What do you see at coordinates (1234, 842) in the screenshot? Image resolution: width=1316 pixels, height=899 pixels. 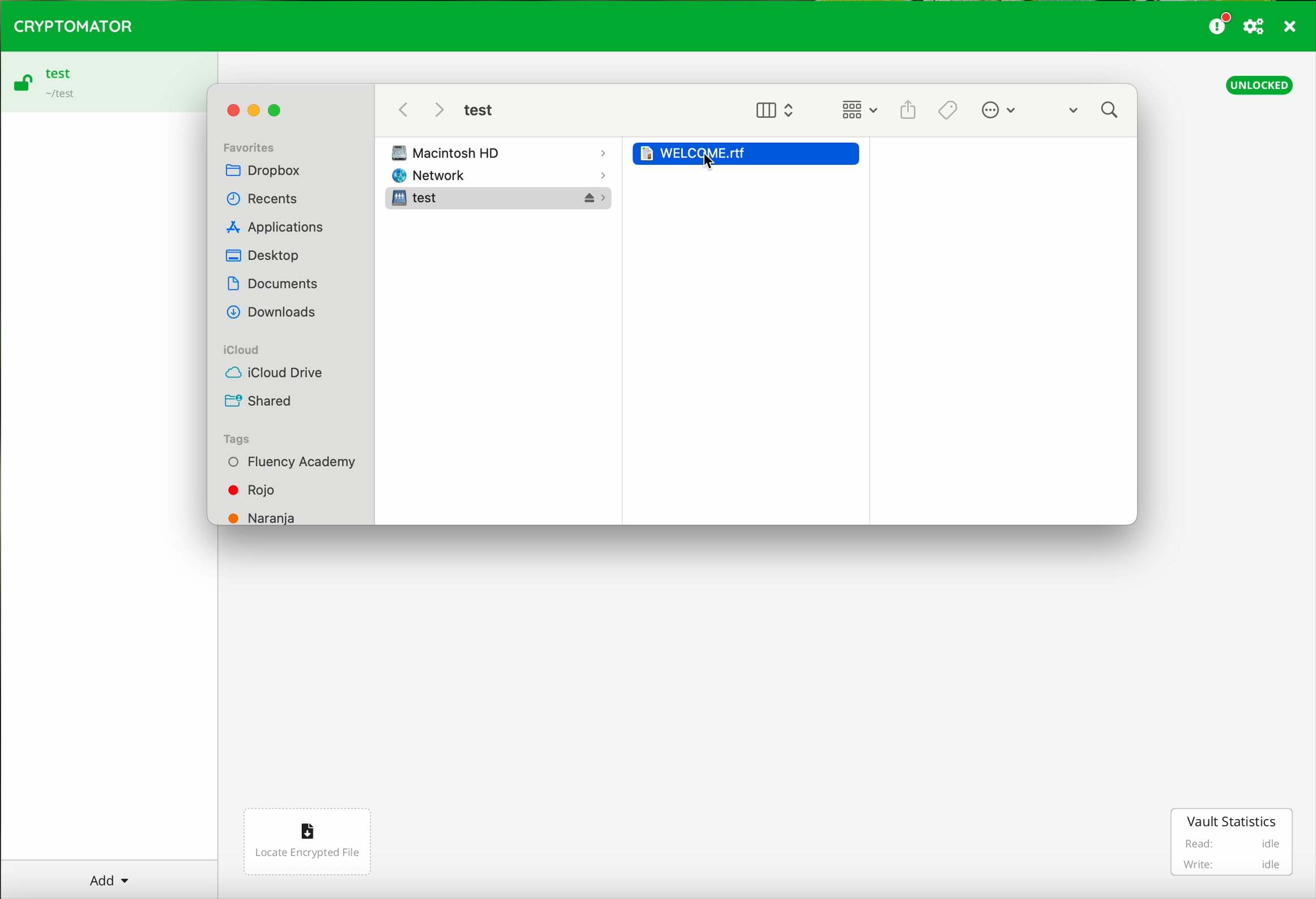 I see `vault statistics` at bounding box center [1234, 842].